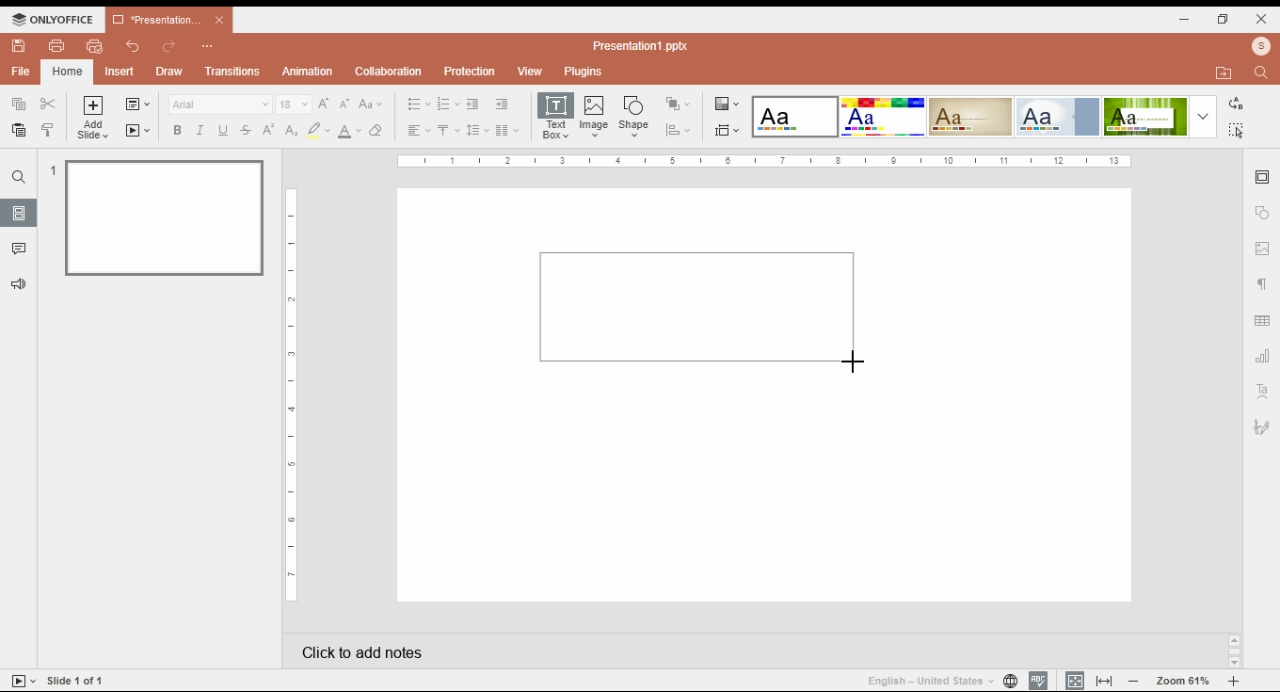 This screenshot has width=1280, height=692. Describe the element at coordinates (512, 649) in the screenshot. I see `click to add notes` at that location.